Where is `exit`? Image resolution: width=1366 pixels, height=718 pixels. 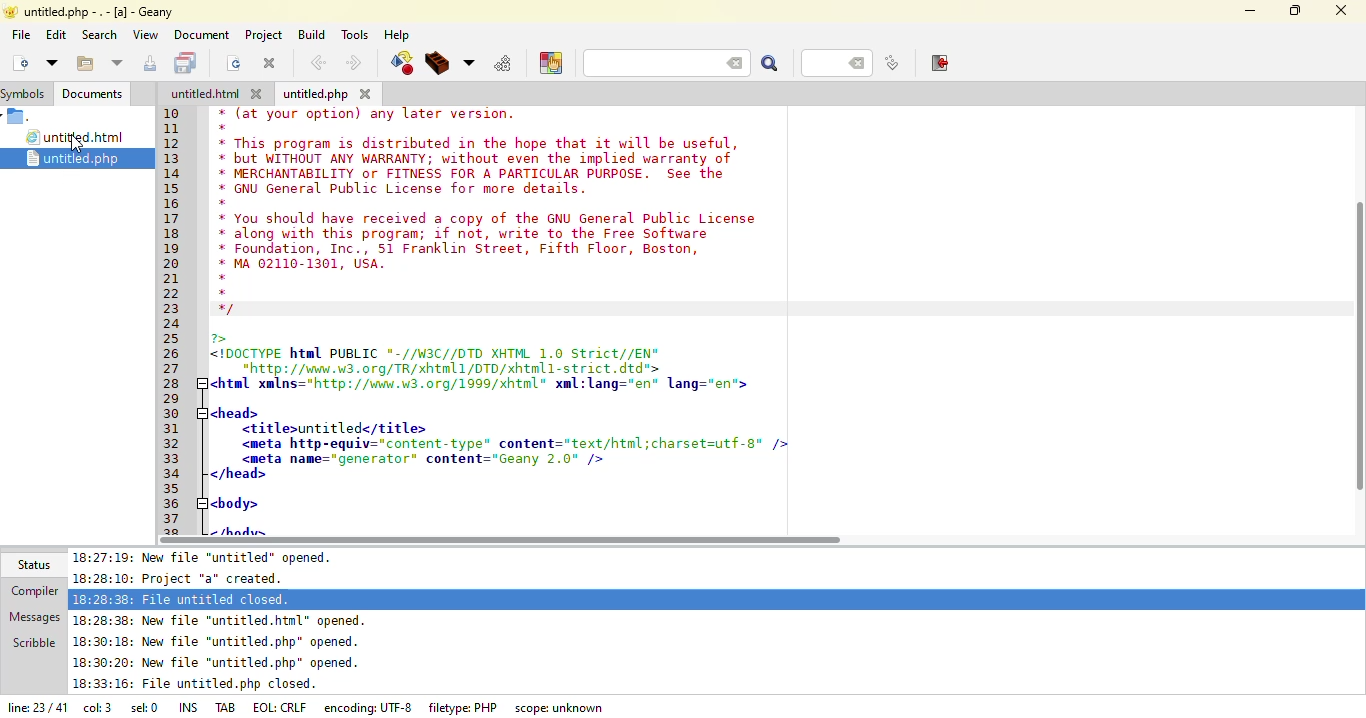
exit is located at coordinates (937, 62).